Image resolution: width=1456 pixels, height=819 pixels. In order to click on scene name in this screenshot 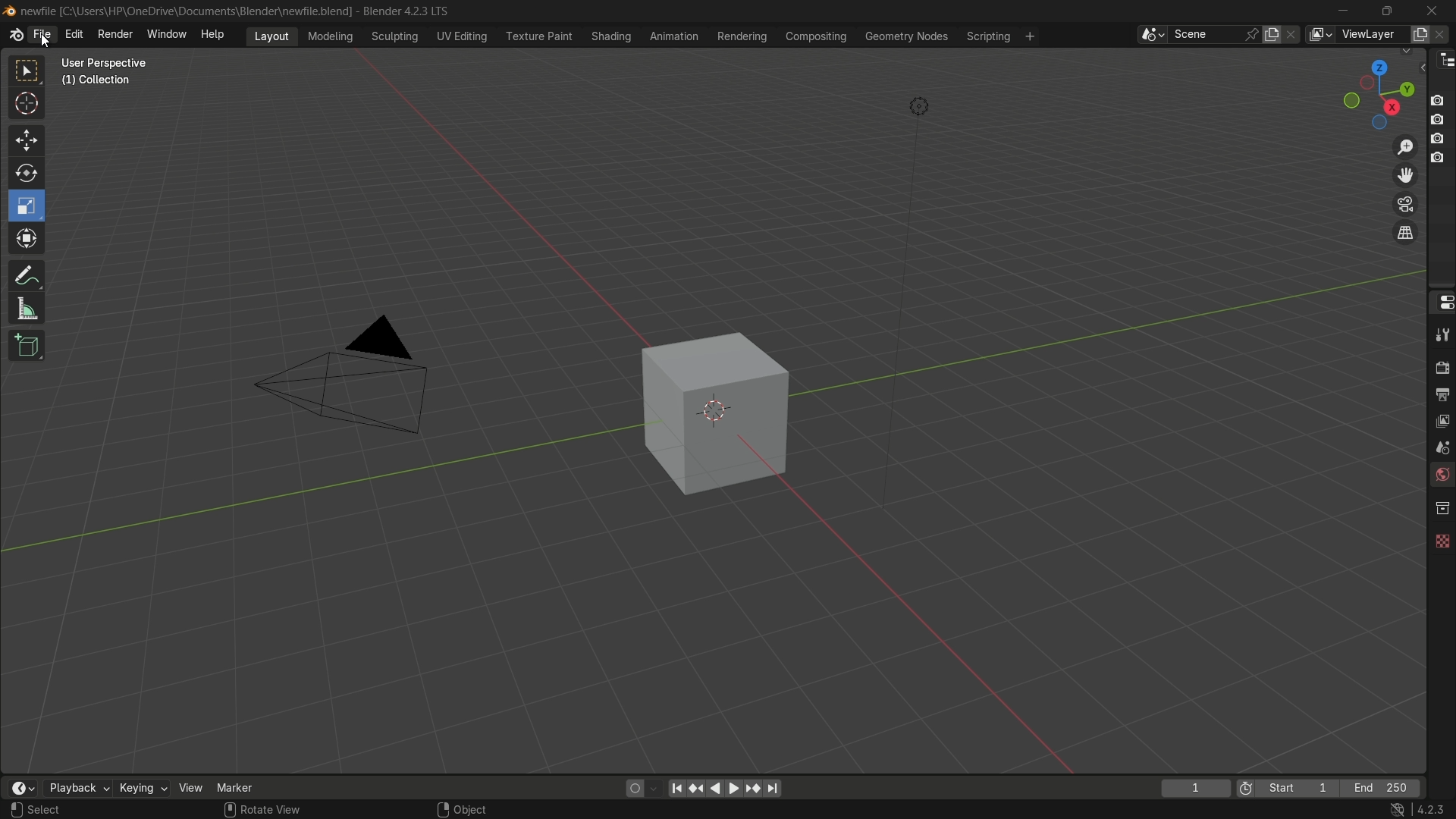, I will do `click(1205, 33)`.